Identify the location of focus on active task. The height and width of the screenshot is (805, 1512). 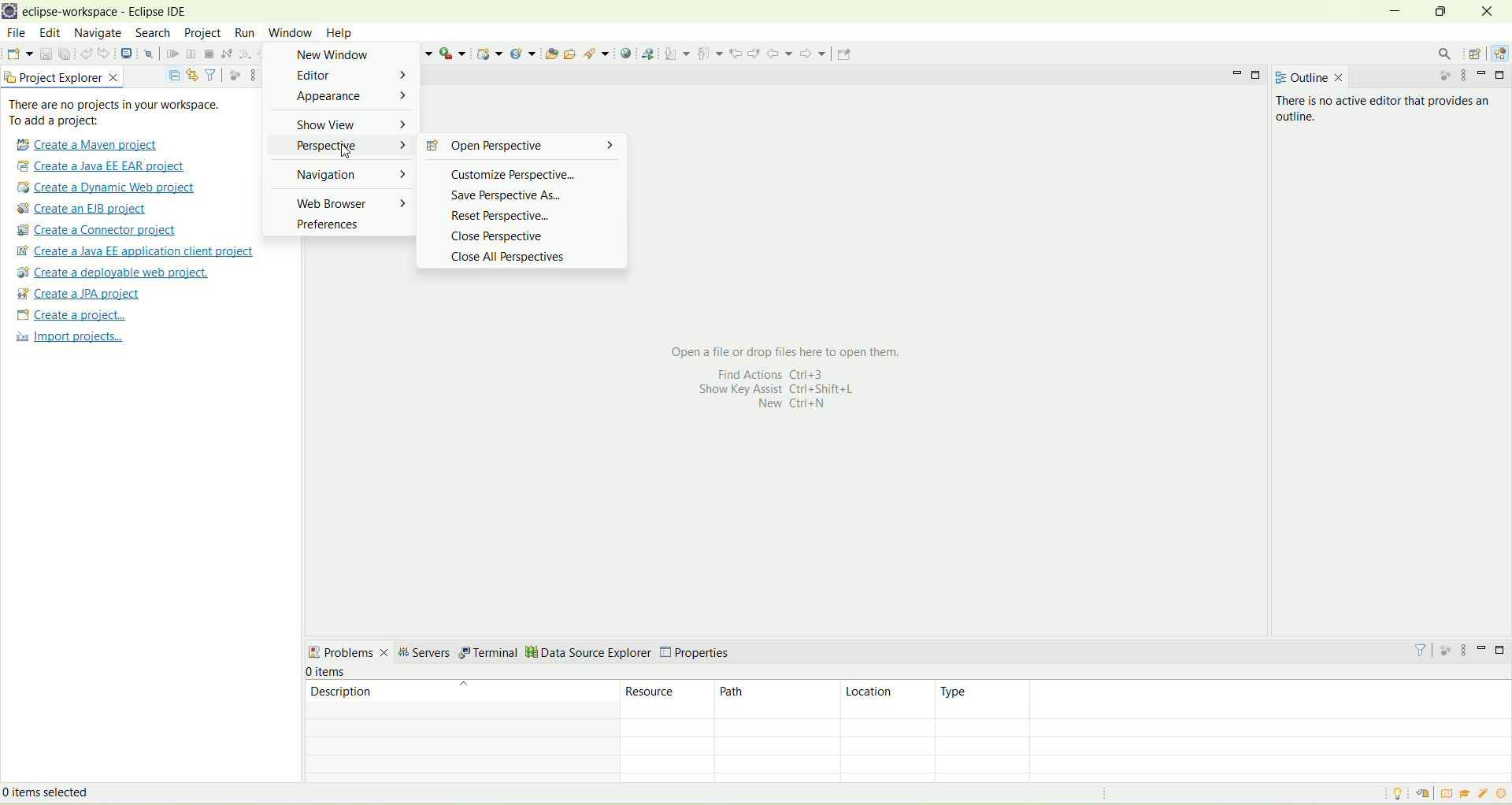
(233, 74).